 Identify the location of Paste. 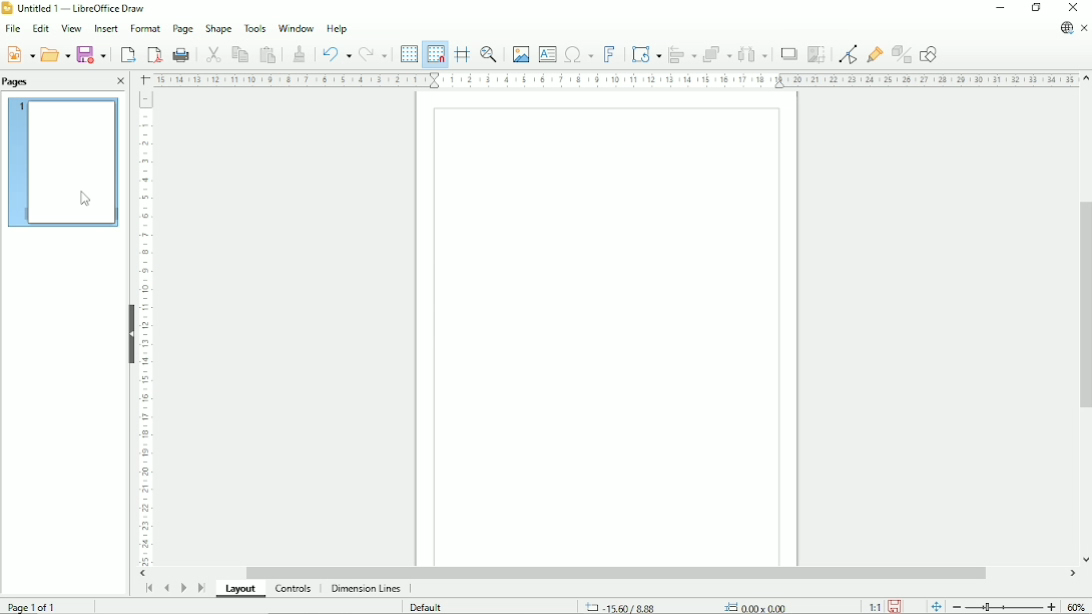
(268, 54).